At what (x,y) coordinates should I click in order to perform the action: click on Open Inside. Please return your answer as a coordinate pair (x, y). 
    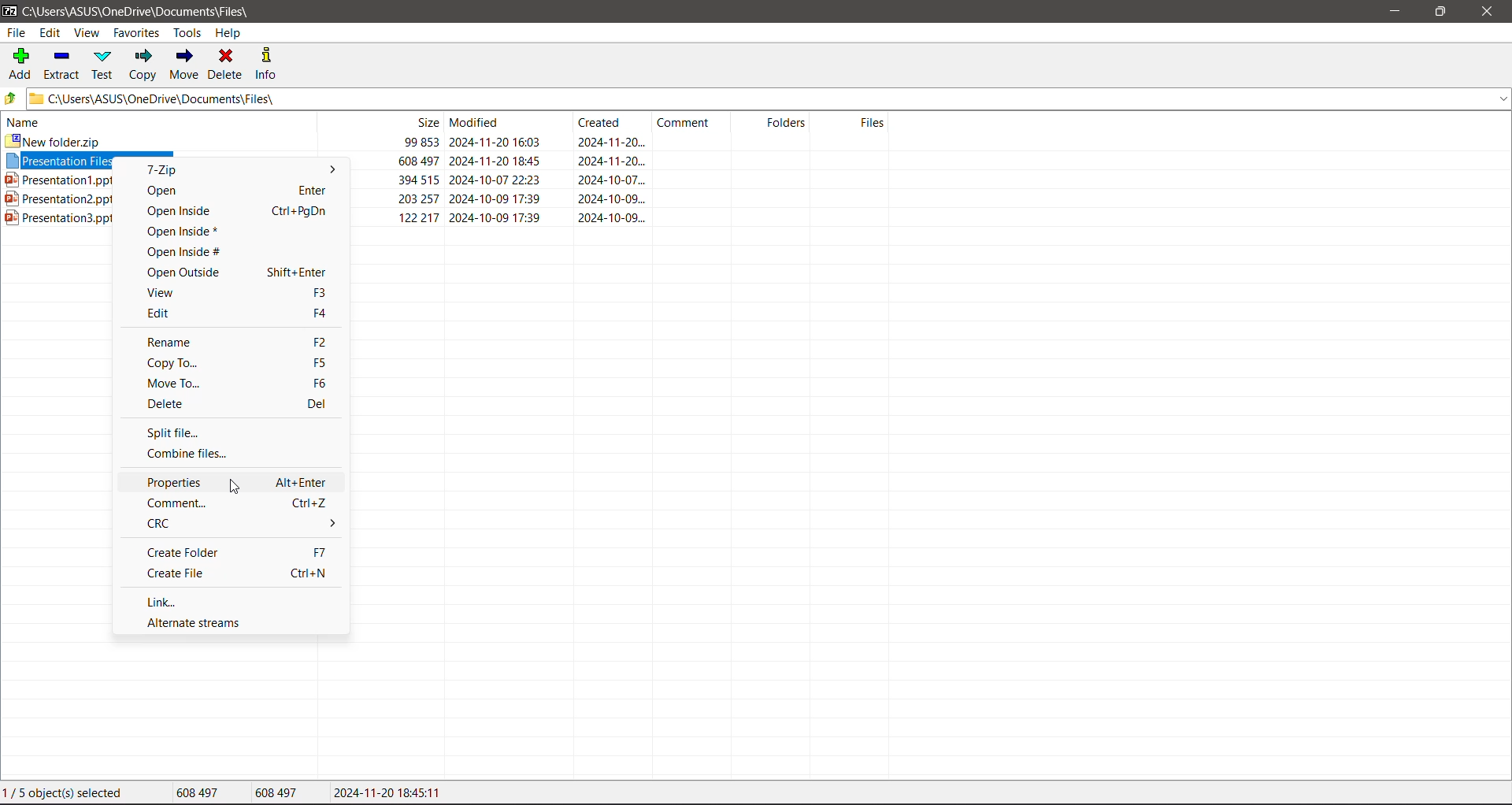
    Looking at the image, I should click on (236, 211).